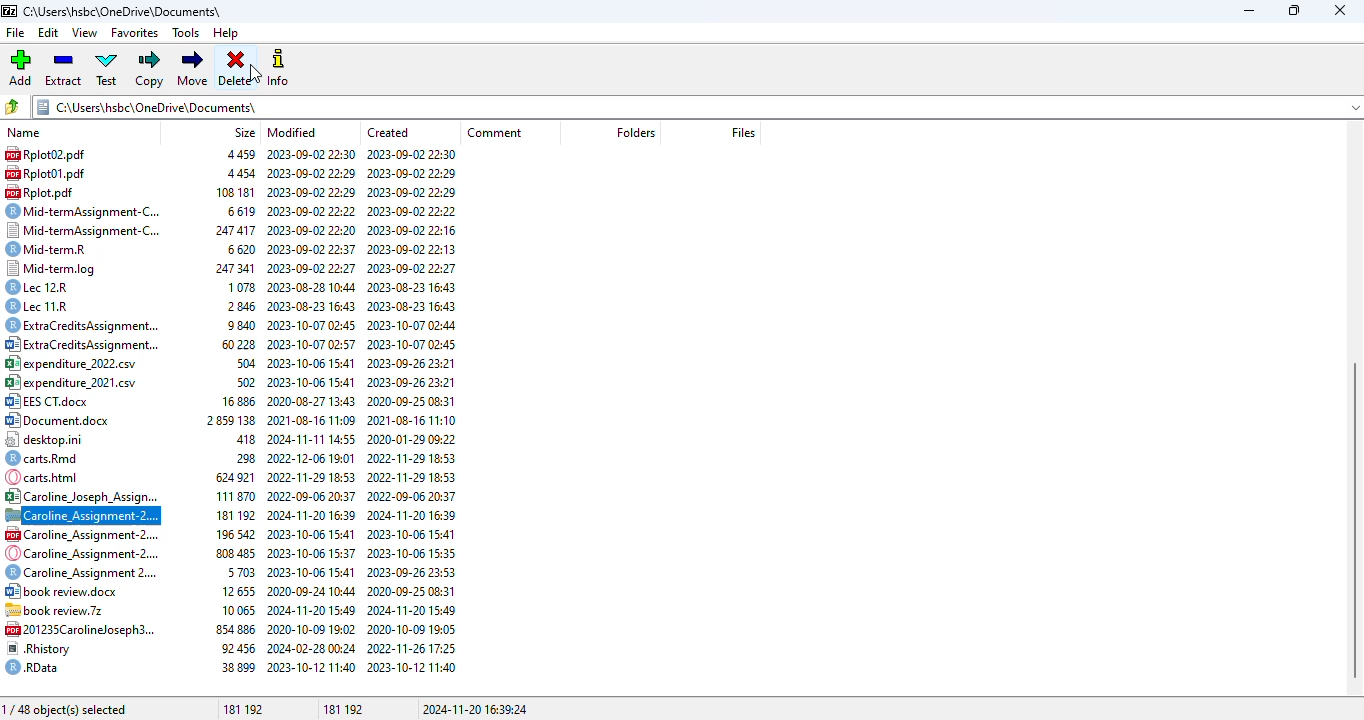 The width and height of the screenshot is (1364, 720). I want to click on carts.html, so click(51, 476).